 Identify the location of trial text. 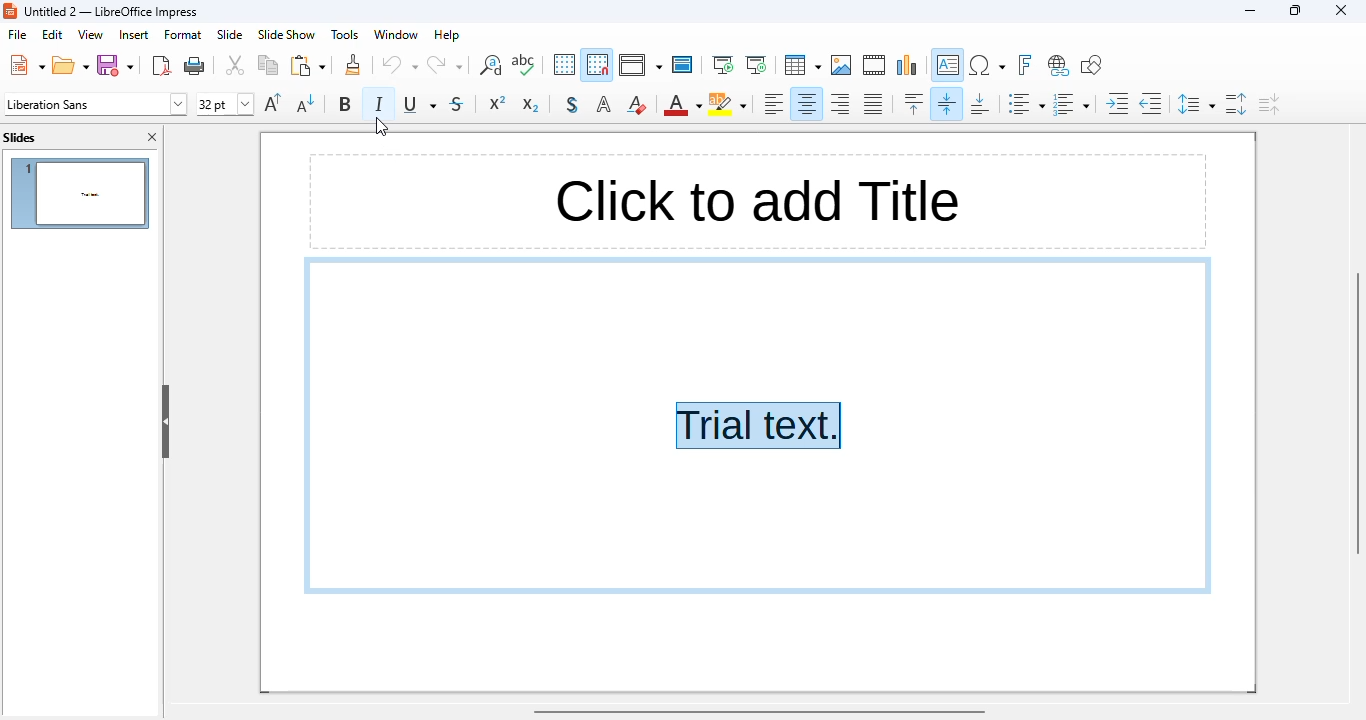
(759, 426).